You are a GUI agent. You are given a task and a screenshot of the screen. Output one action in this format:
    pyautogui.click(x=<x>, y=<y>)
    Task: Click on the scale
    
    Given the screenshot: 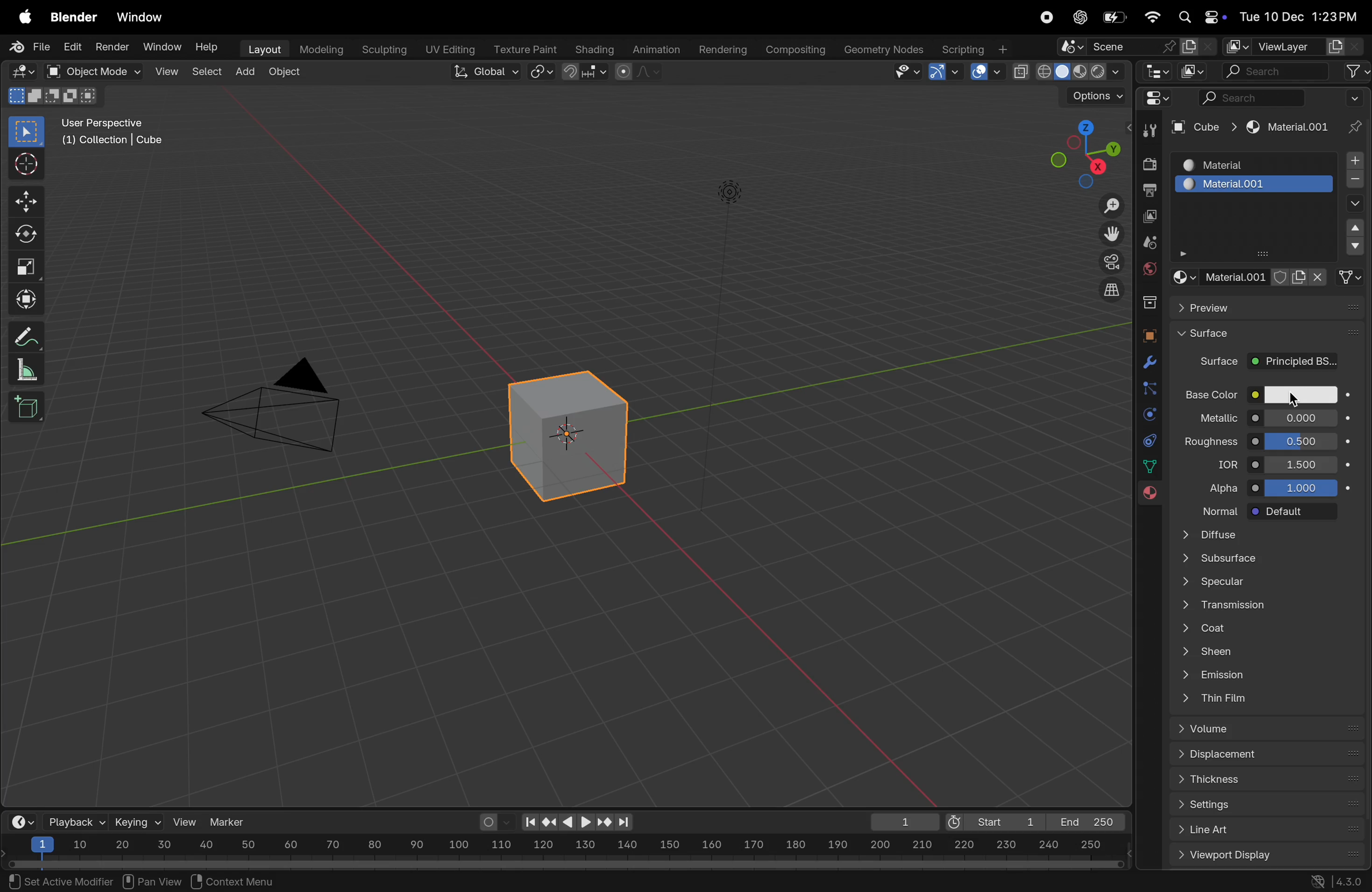 What is the action you would take?
    pyautogui.click(x=22, y=369)
    